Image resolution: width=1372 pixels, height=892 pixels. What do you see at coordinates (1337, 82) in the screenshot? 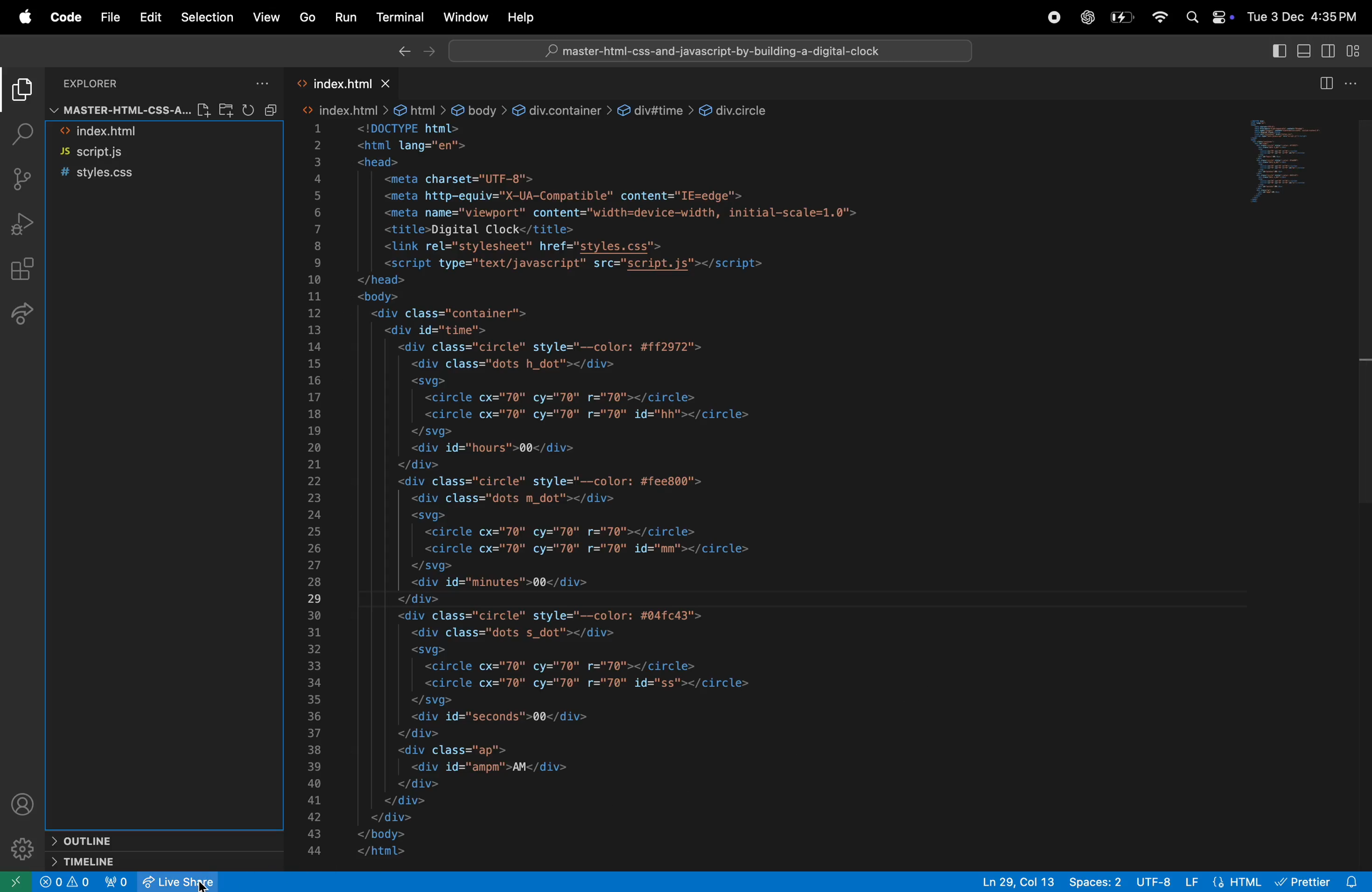
I see `toggle editor` at bounding box center [1337, 82].